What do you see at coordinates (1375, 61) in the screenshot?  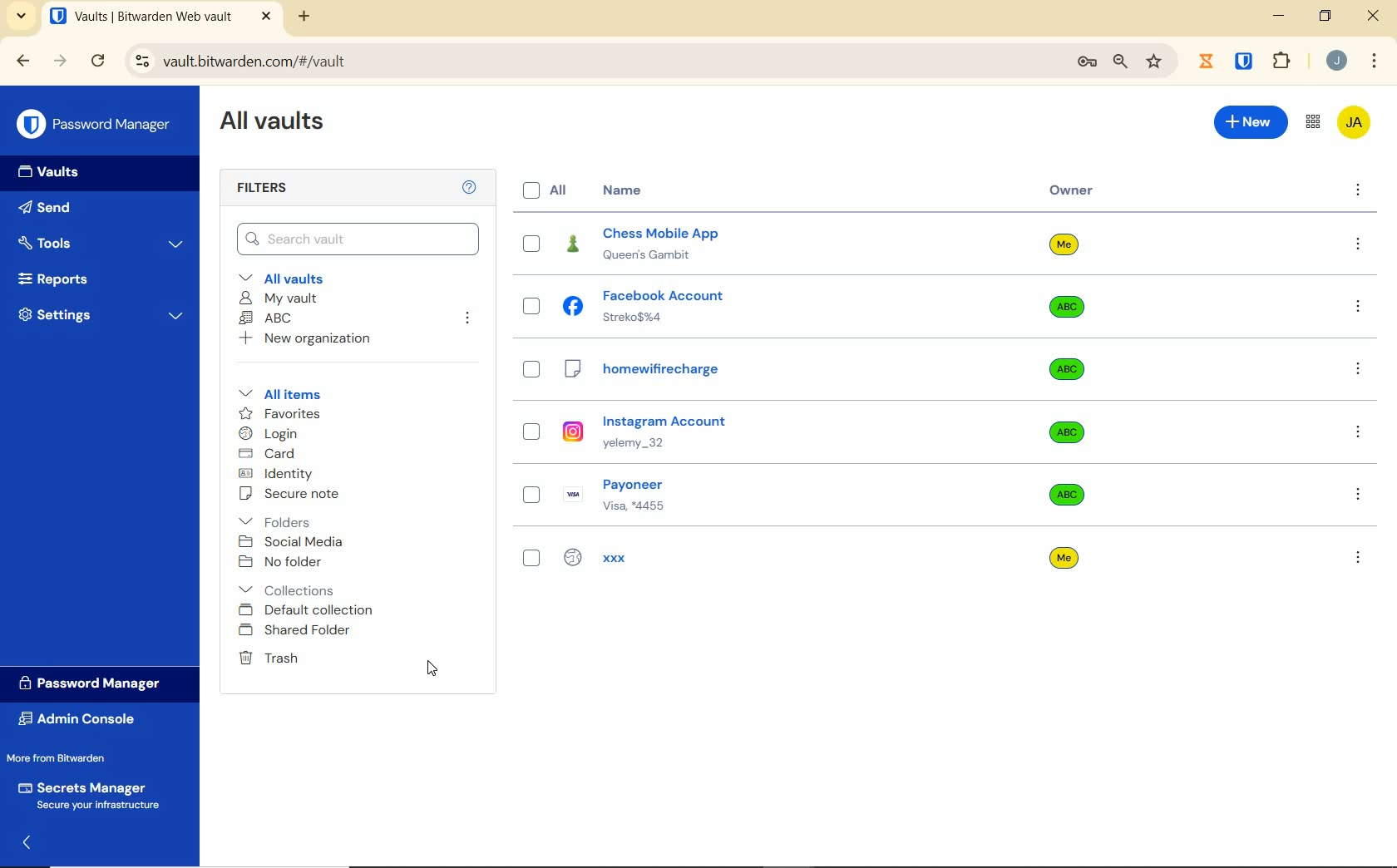 I see `customize Google chrome` at bounding box center [1375, 61].